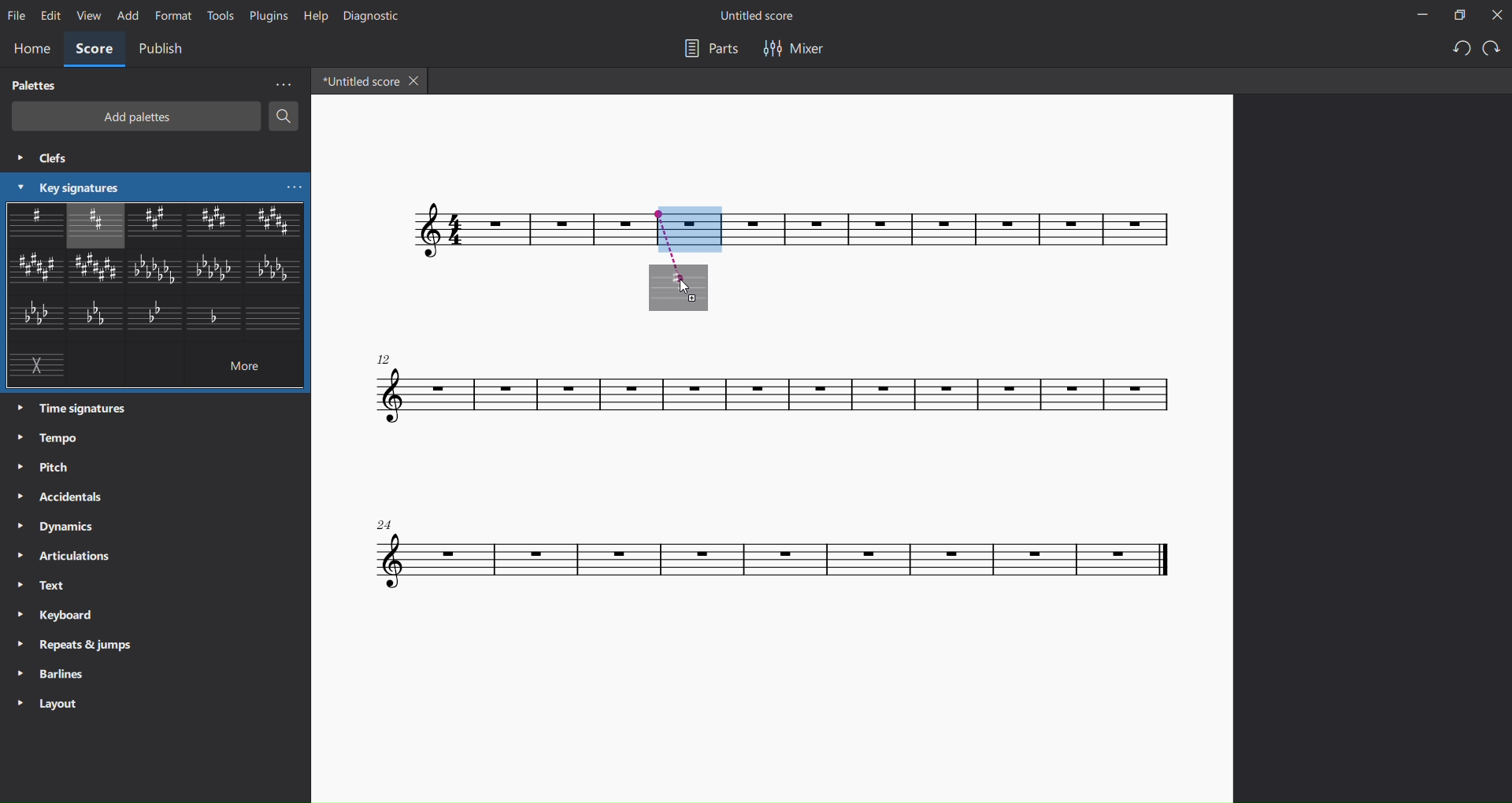 This screenshot has width=1512, height=803. What do you see at coordinates (127, 14) in the screenshot?
I see `add` at bounding box center [127, 14].